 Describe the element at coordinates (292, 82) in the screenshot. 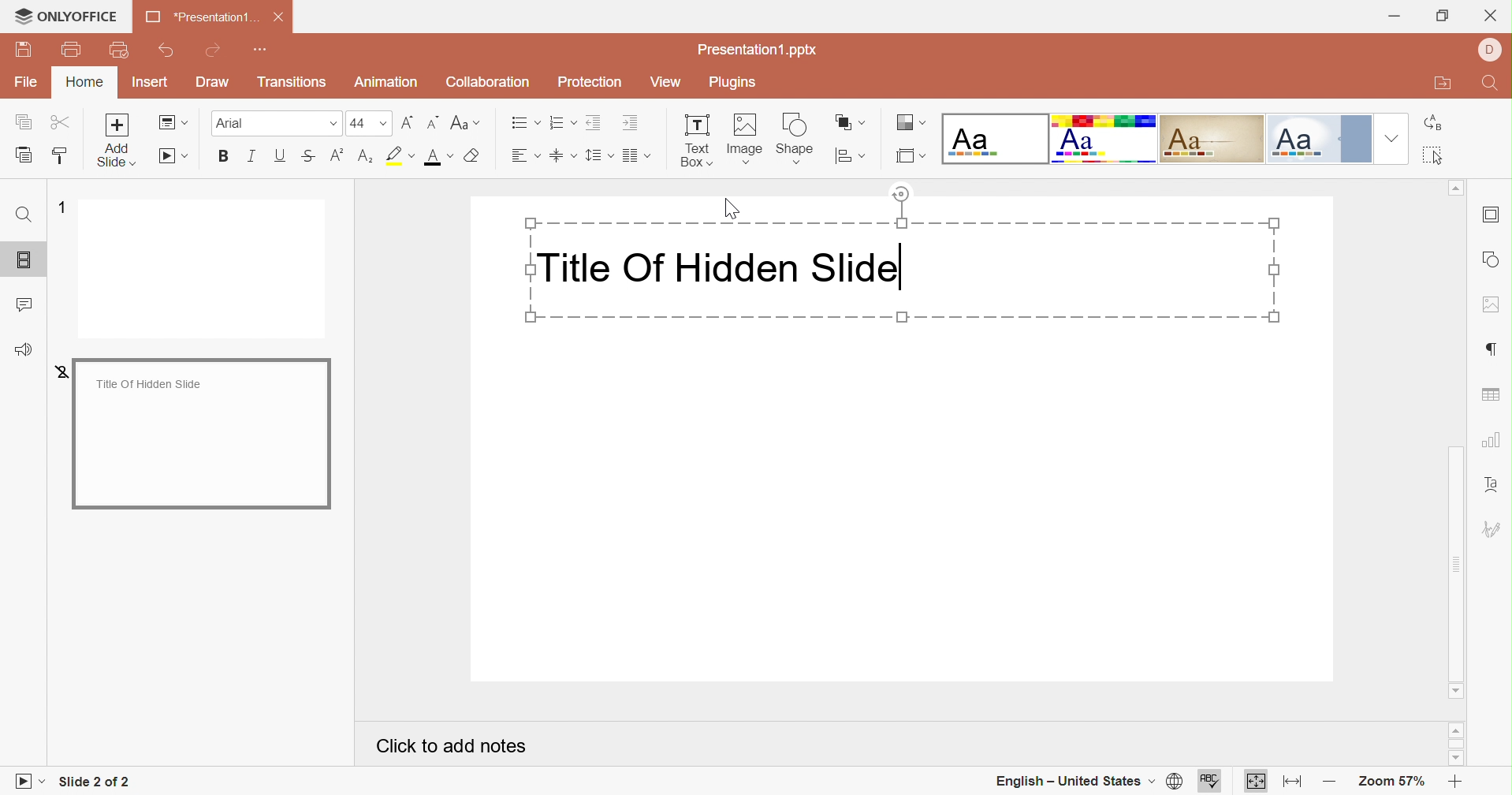

I see `Transitions` at that location.